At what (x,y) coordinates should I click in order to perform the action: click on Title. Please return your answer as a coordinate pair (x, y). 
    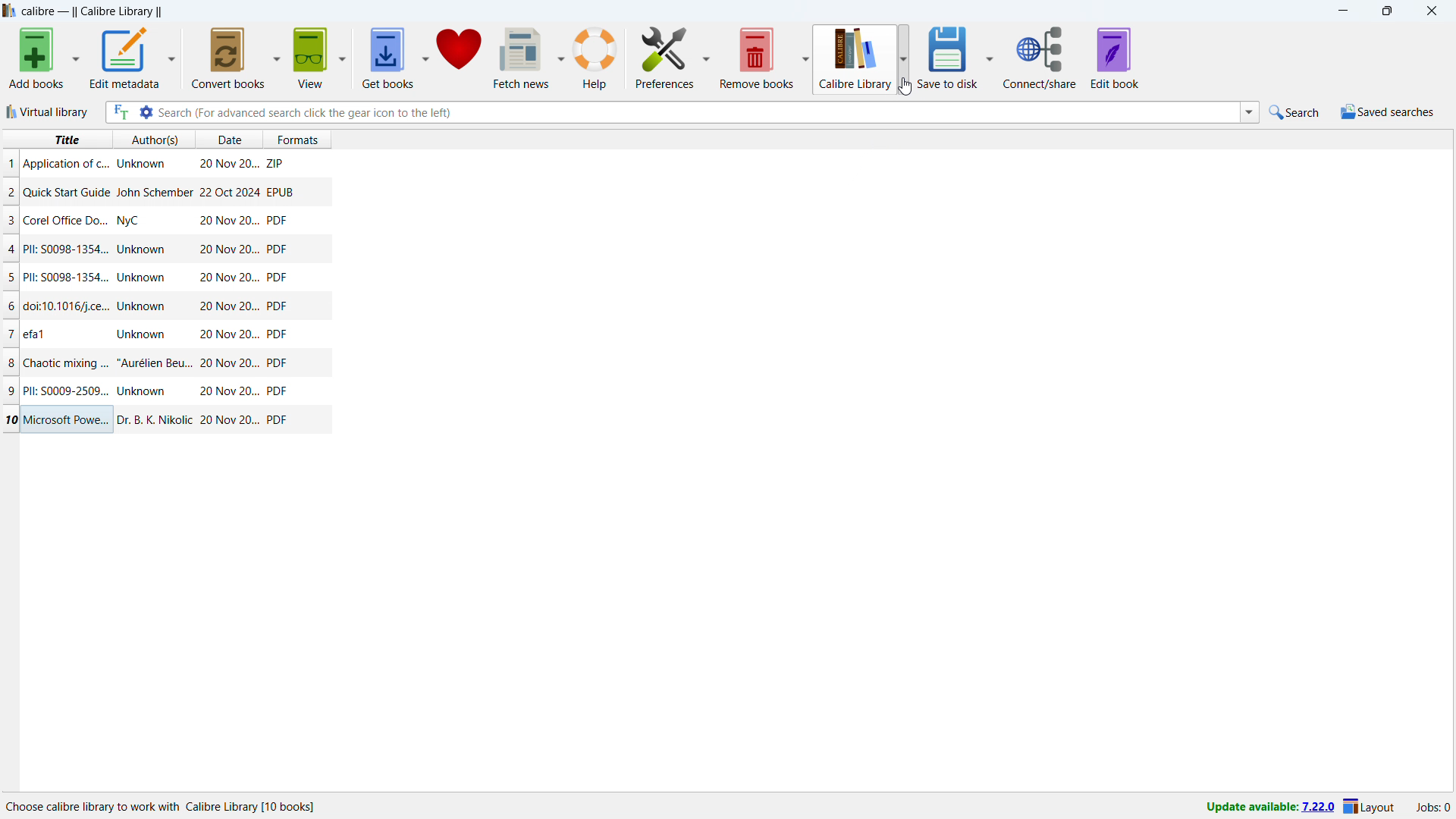
    Looking at the image, I should click on (68, 307).